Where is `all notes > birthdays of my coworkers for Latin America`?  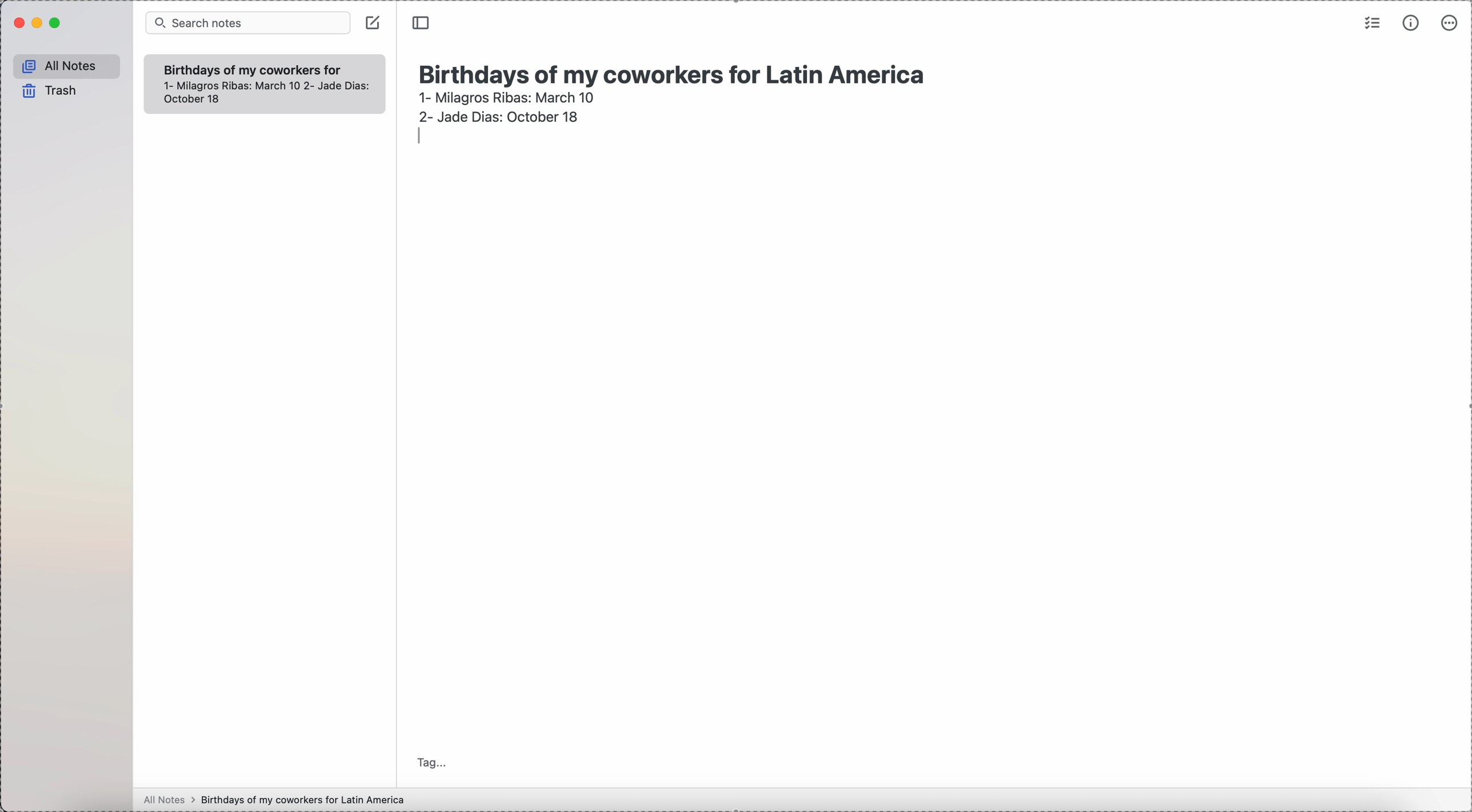 all notes > birthdays of my coworkers for Latin America is located at coordinates (277, 799).